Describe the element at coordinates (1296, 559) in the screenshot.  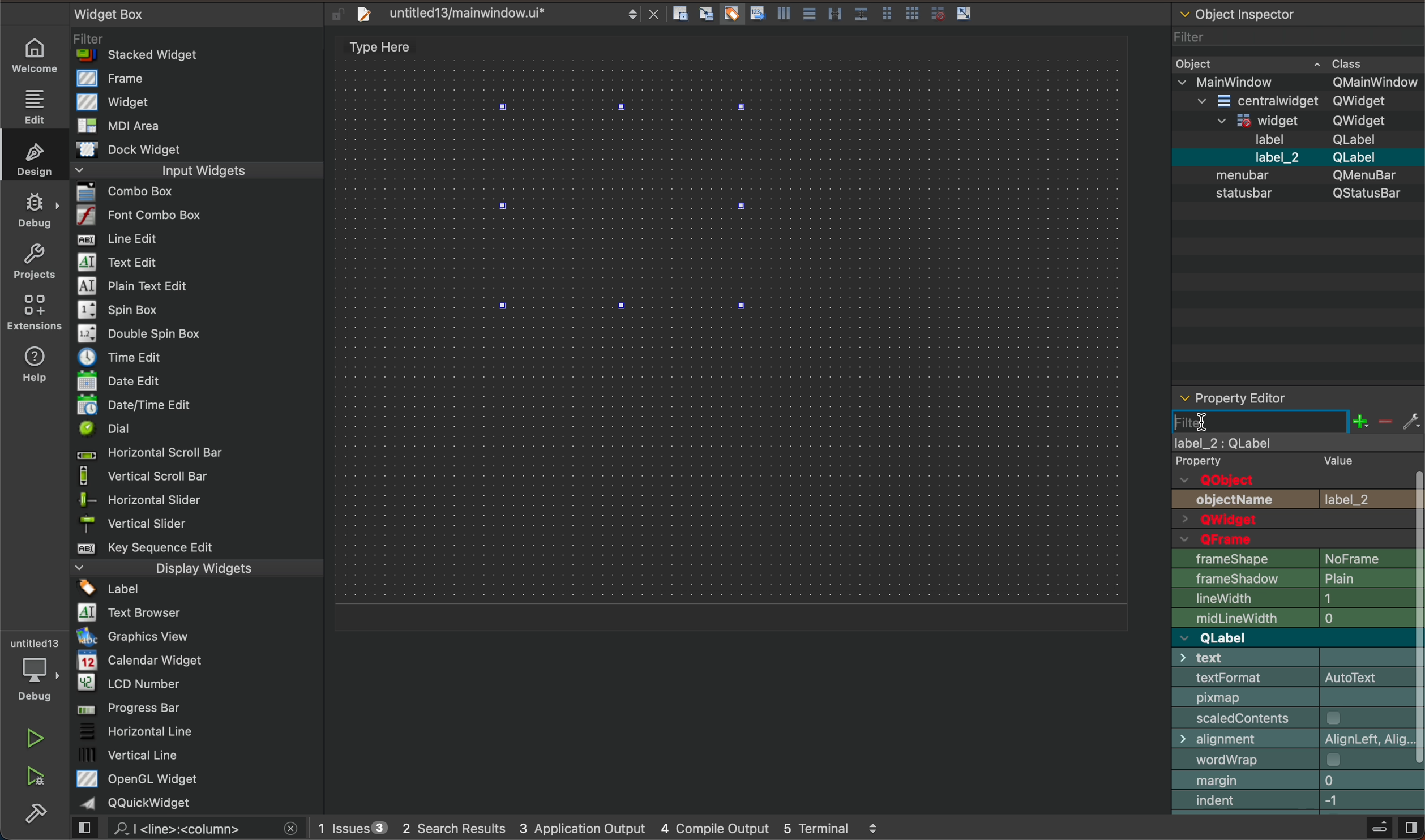
I see `frame shape` at that location.